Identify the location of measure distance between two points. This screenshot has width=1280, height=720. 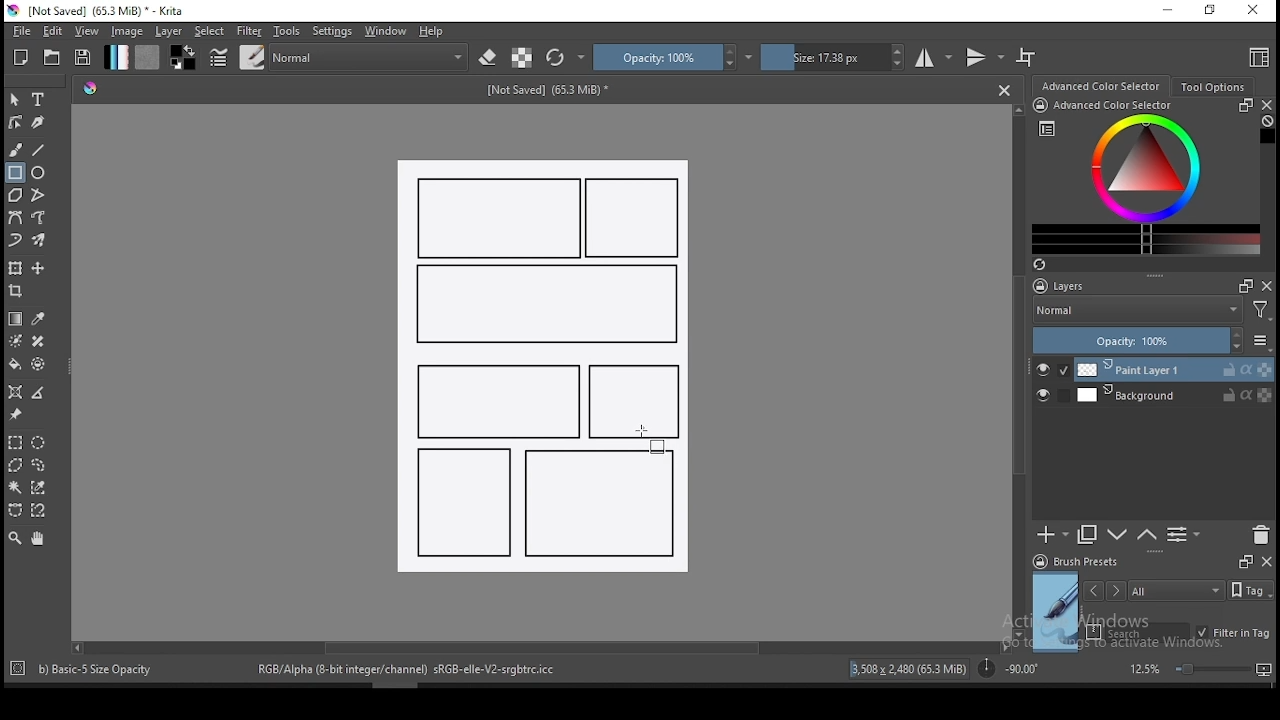
(39, 394).